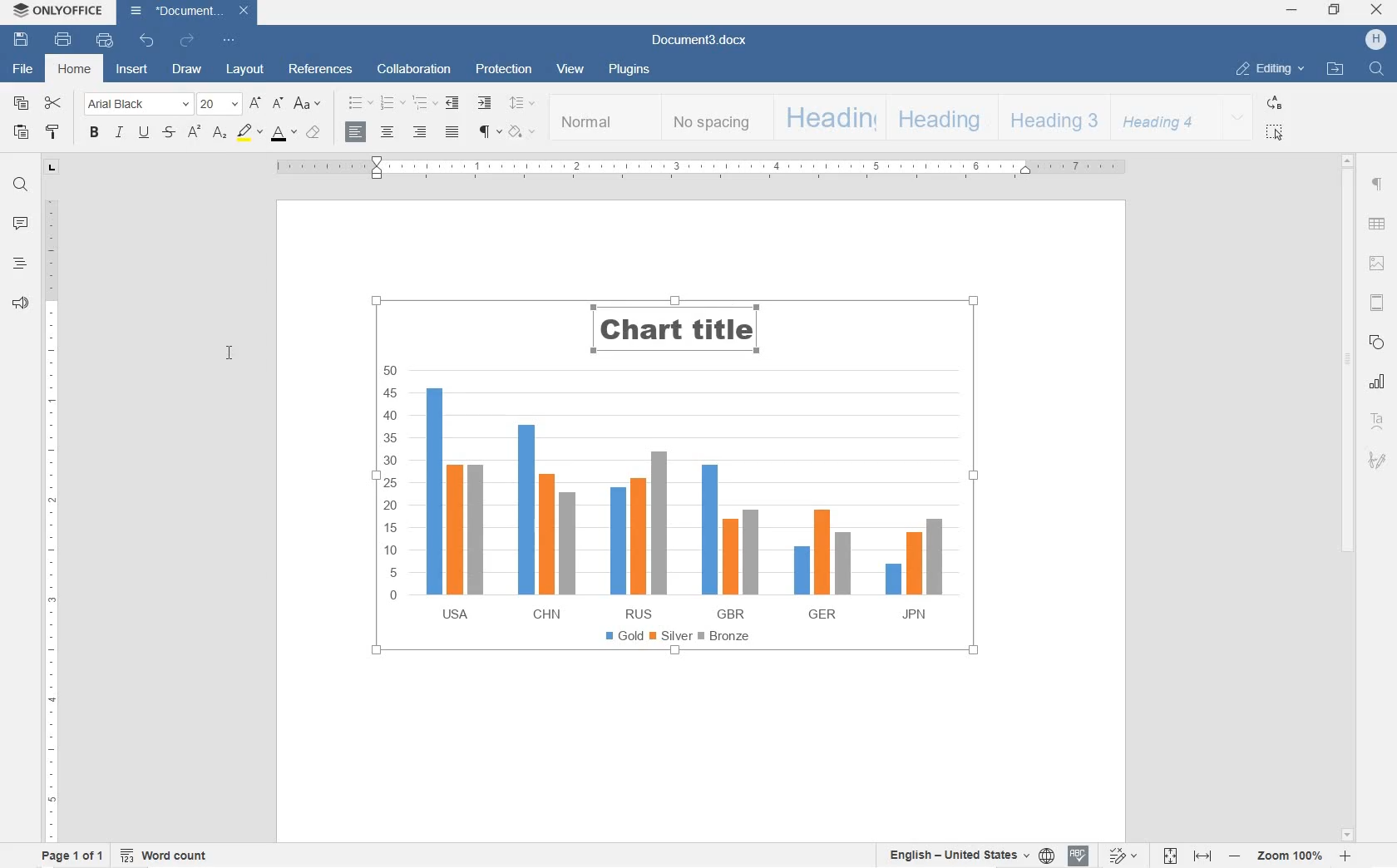 Image resolution: width=1397 pixels, height=868 pixels. Describe the element at coordinates (53, 133) in the screenshot. I see `COPY STYLE` at that location.